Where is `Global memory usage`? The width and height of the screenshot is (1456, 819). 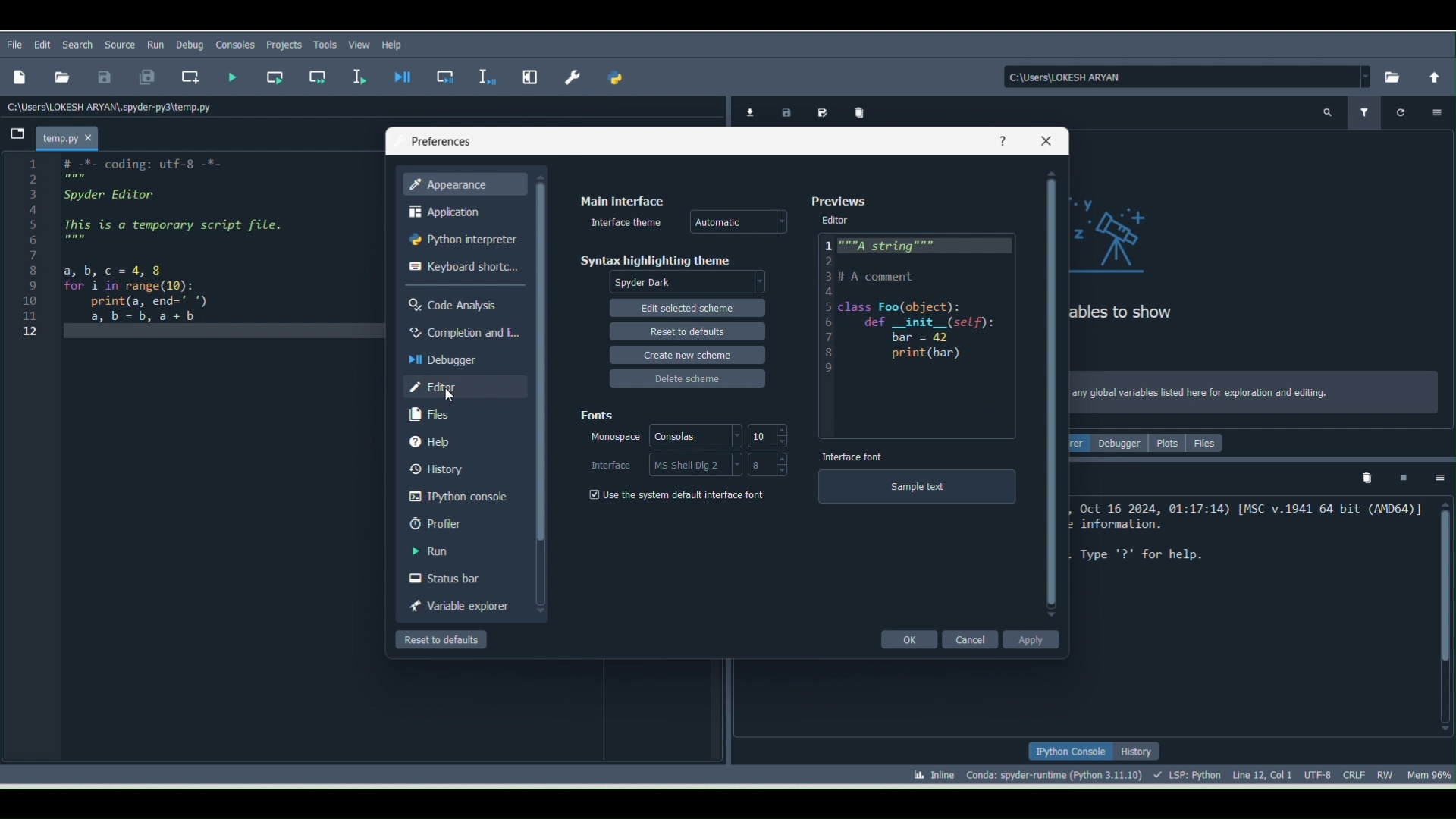
Global memory usage is located at coordinates (1428, 772).